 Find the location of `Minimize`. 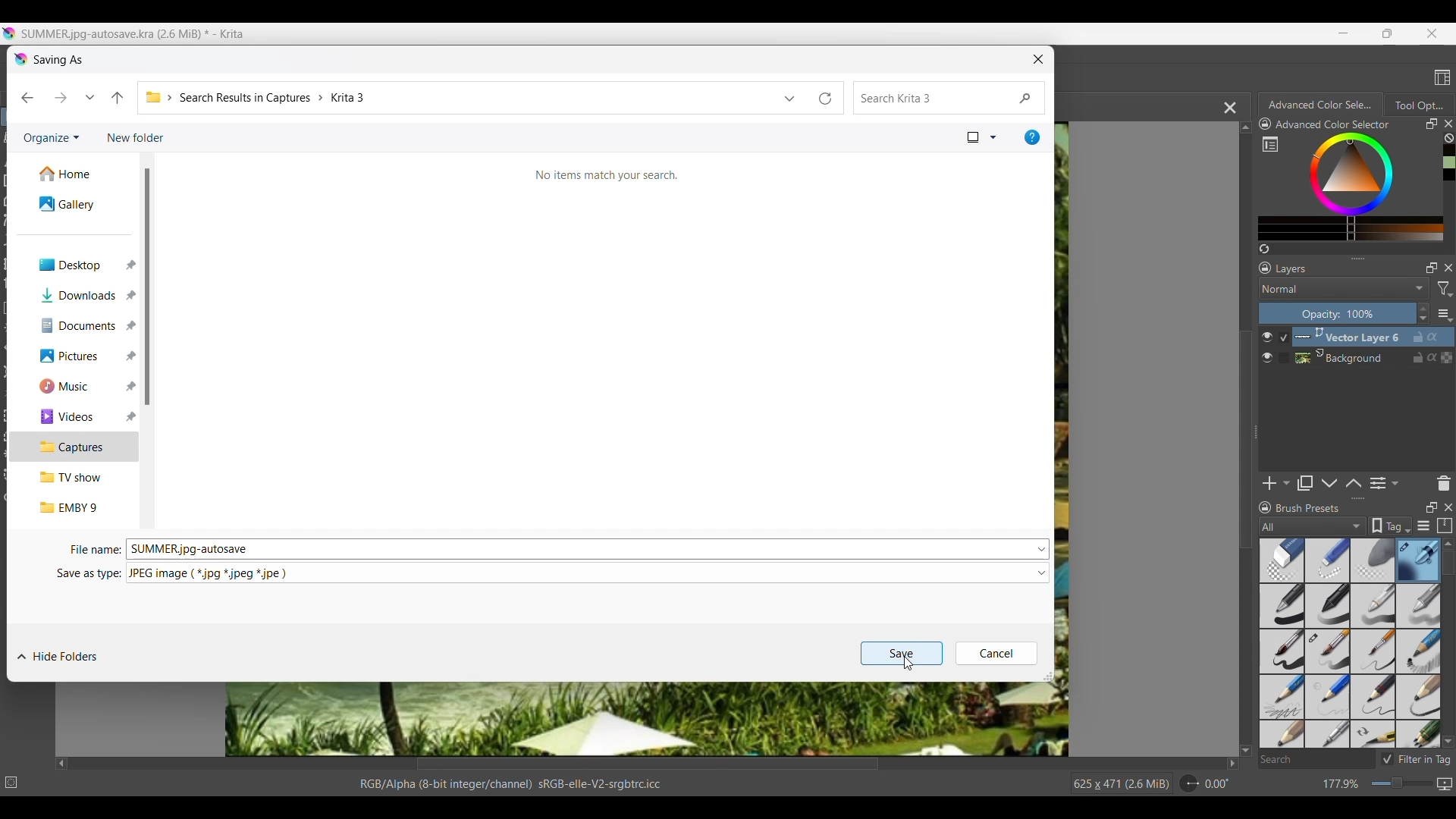

Minimize is located at coordinates (1344, 33).